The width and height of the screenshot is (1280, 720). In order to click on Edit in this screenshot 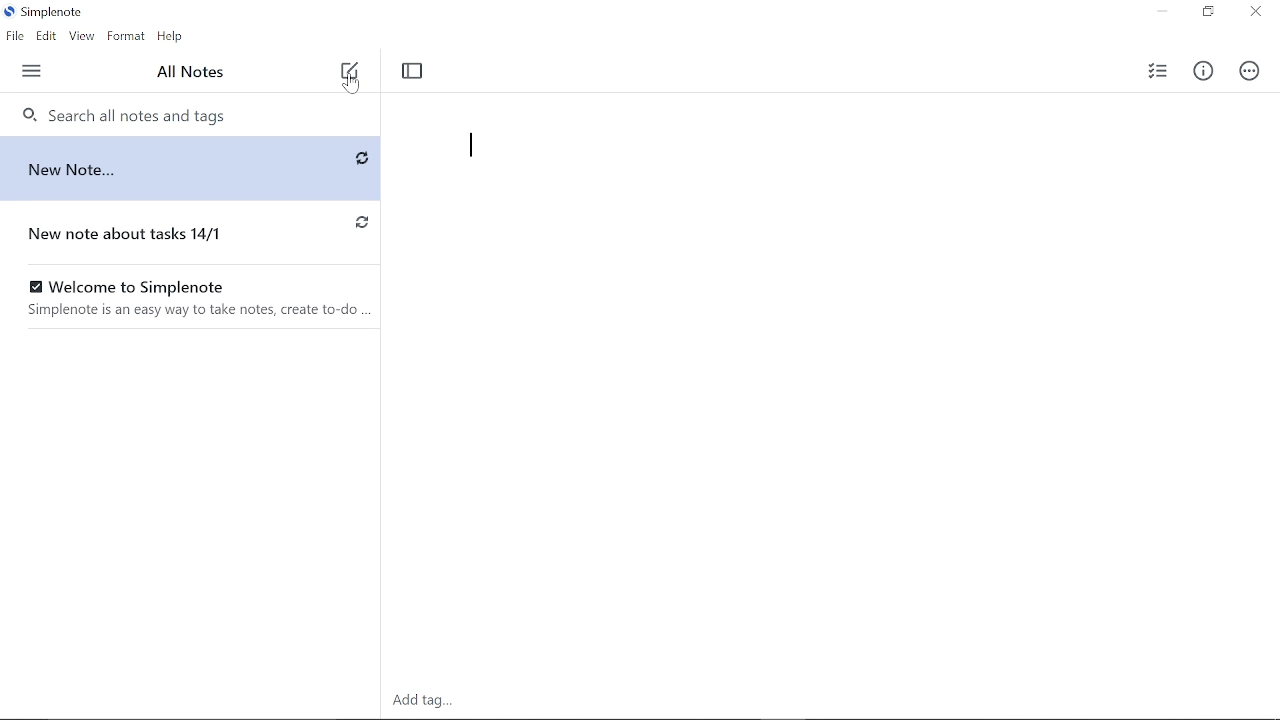, I will do `click(45, 37)`.